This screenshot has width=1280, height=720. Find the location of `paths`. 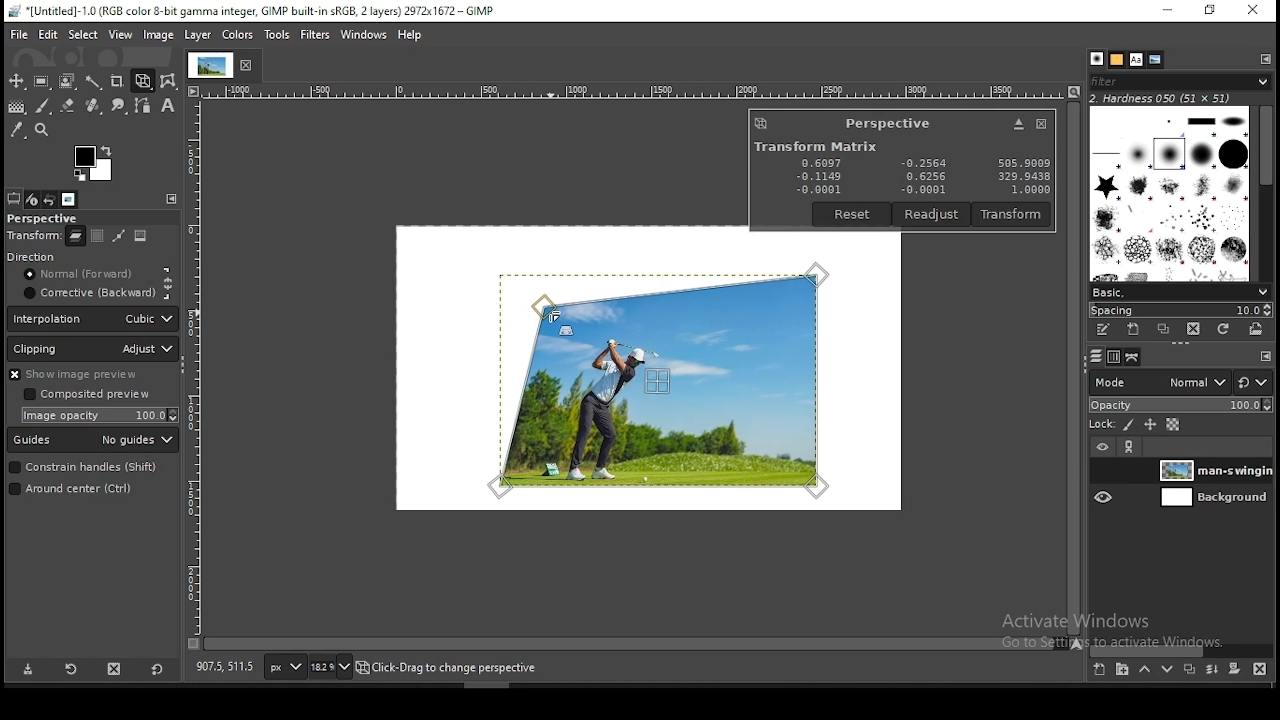

paths is located at coordinates (1133, 358).